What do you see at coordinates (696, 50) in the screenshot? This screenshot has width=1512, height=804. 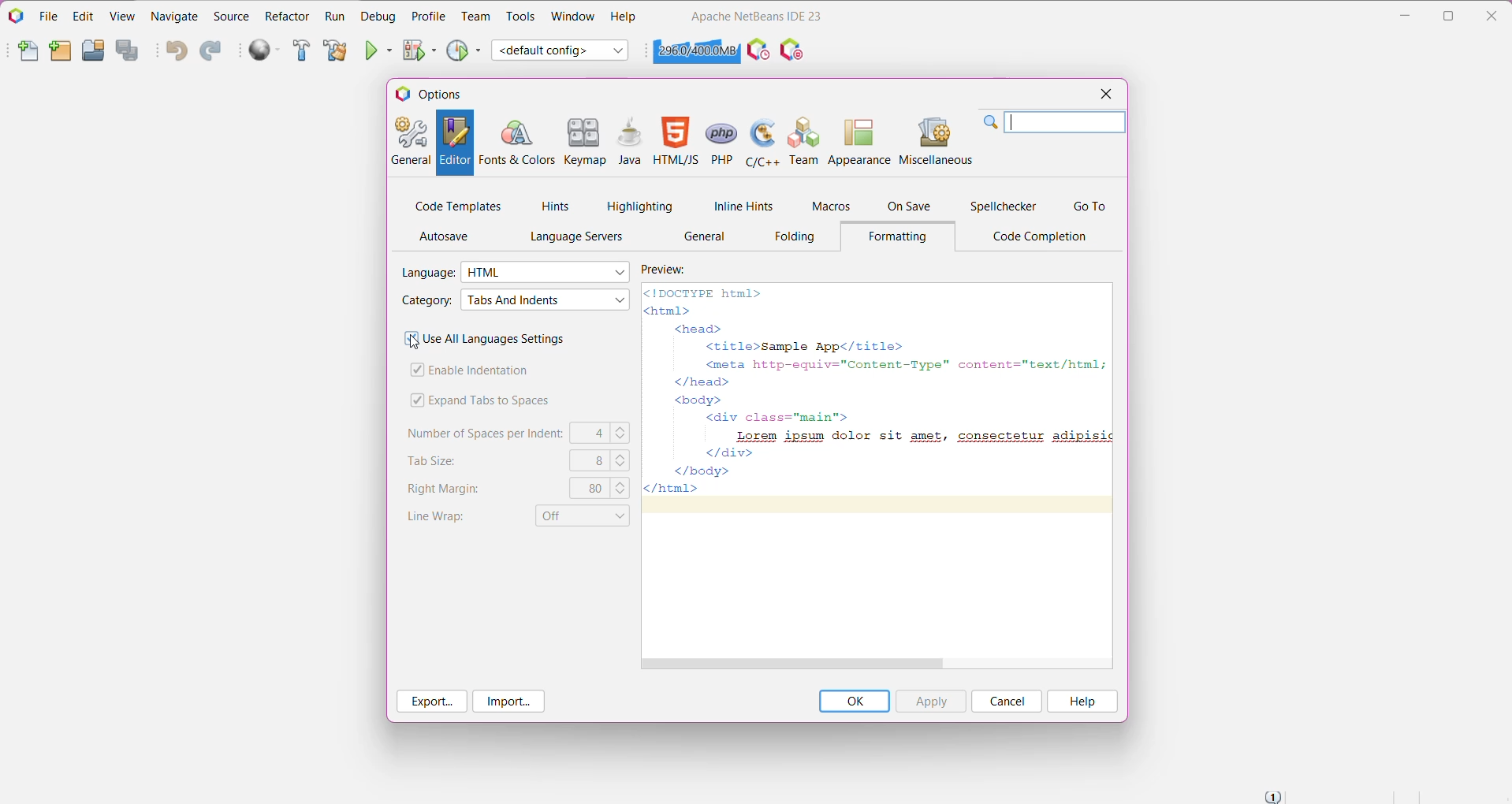 I see `Click to force garbage collection` at bounding box center [696, 50].